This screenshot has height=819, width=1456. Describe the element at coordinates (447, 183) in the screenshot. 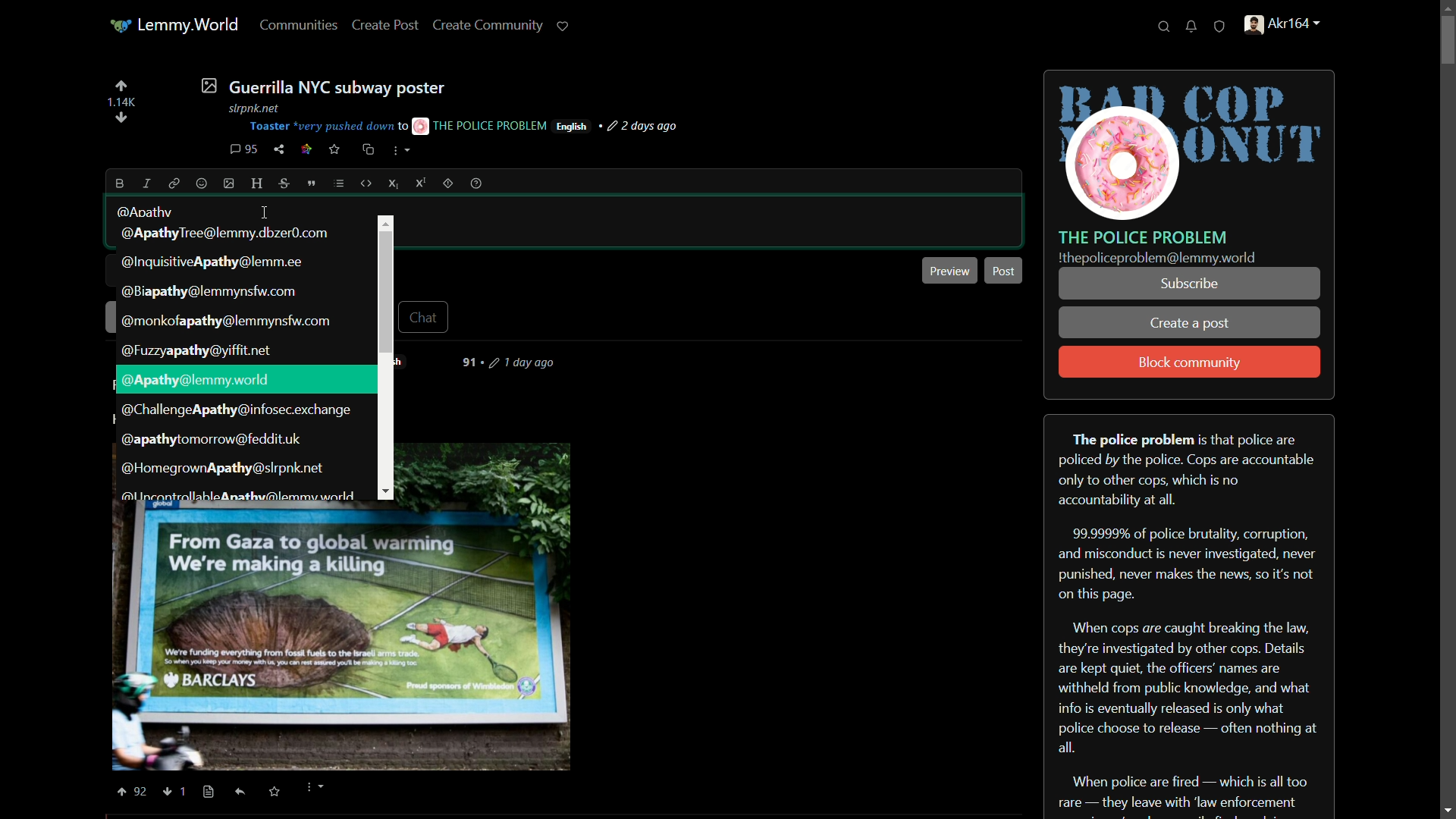

I see `spoiler` at that location.